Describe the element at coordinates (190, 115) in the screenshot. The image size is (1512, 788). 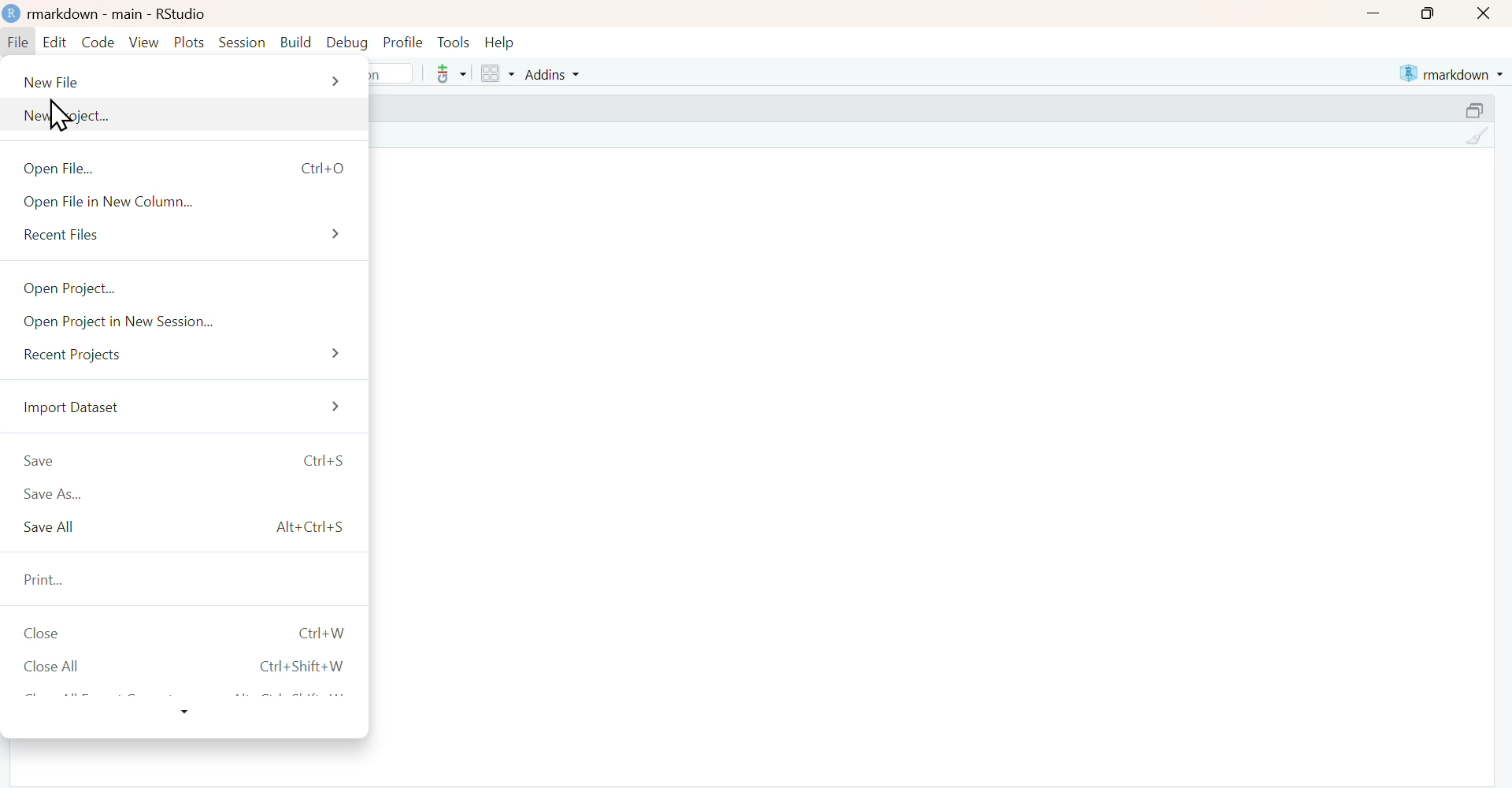
I see `new project ` at that location.